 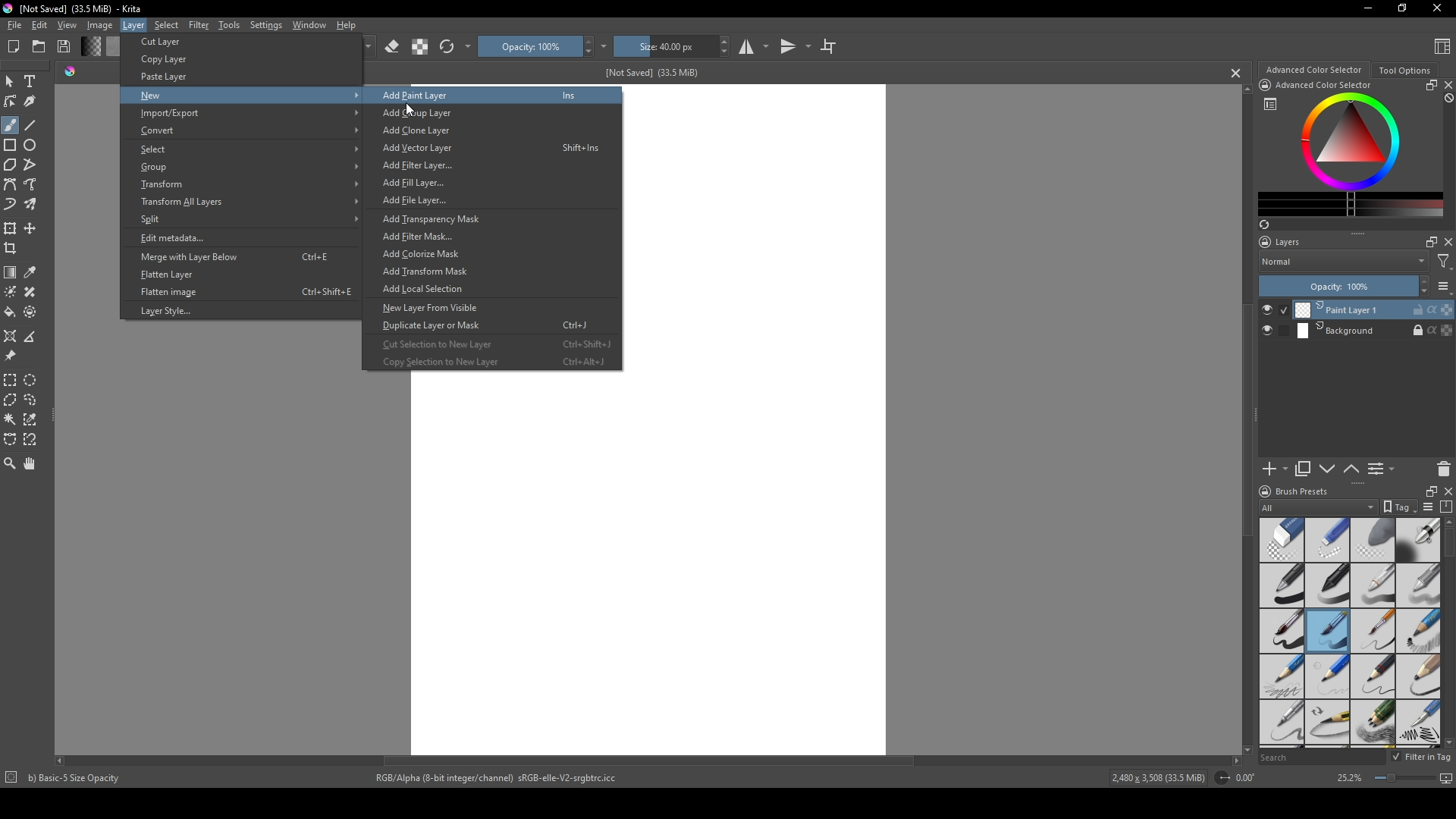 What do you see at coordinates (248, 114) in the screenshot?
I see `Import/Export ` at bounding box center [248, 114].